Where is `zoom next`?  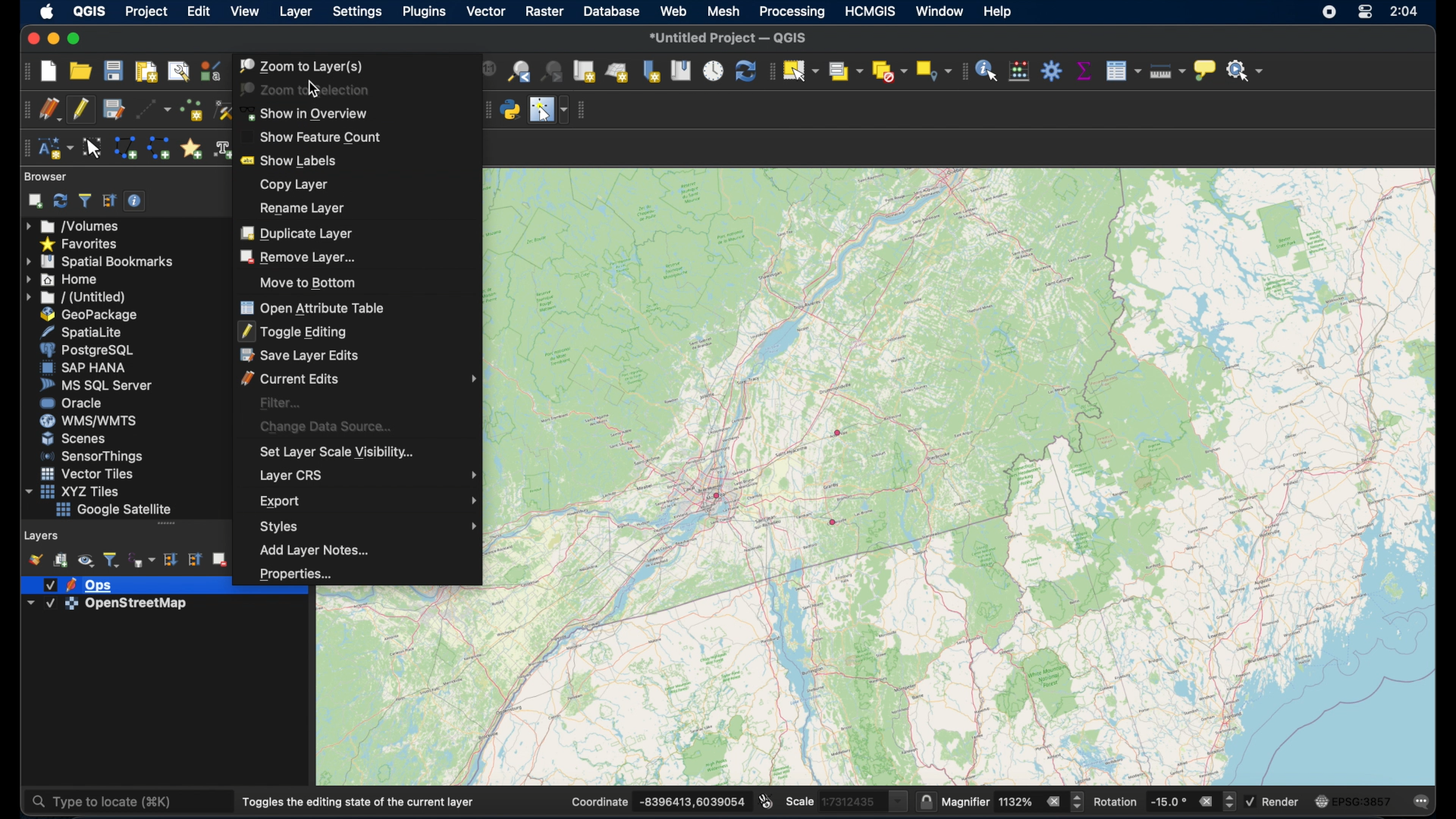
zoom next is located at coordinates (551, 72).